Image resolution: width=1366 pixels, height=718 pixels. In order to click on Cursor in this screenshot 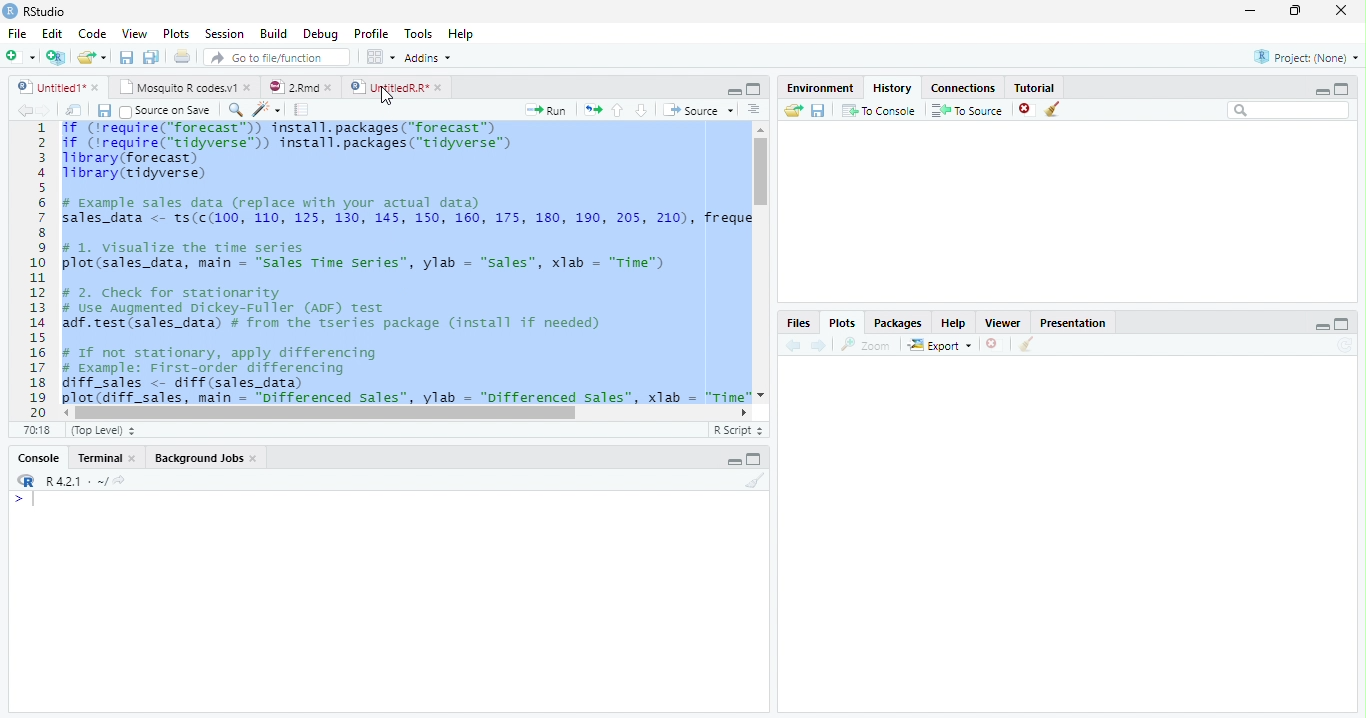, I will do `click(389, 94)`.